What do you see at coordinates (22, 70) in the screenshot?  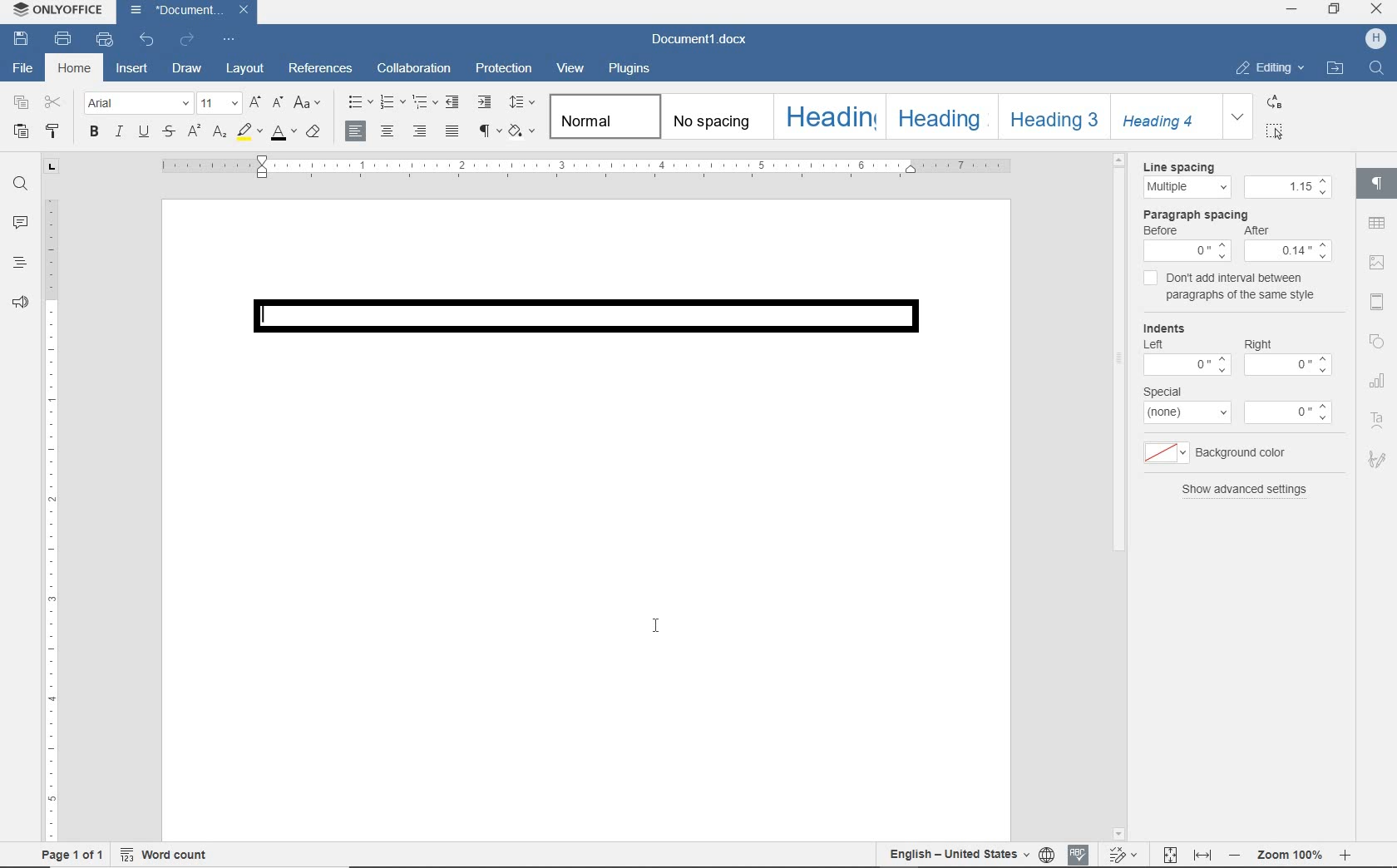 I see `file` at bounding box center [22, 70].